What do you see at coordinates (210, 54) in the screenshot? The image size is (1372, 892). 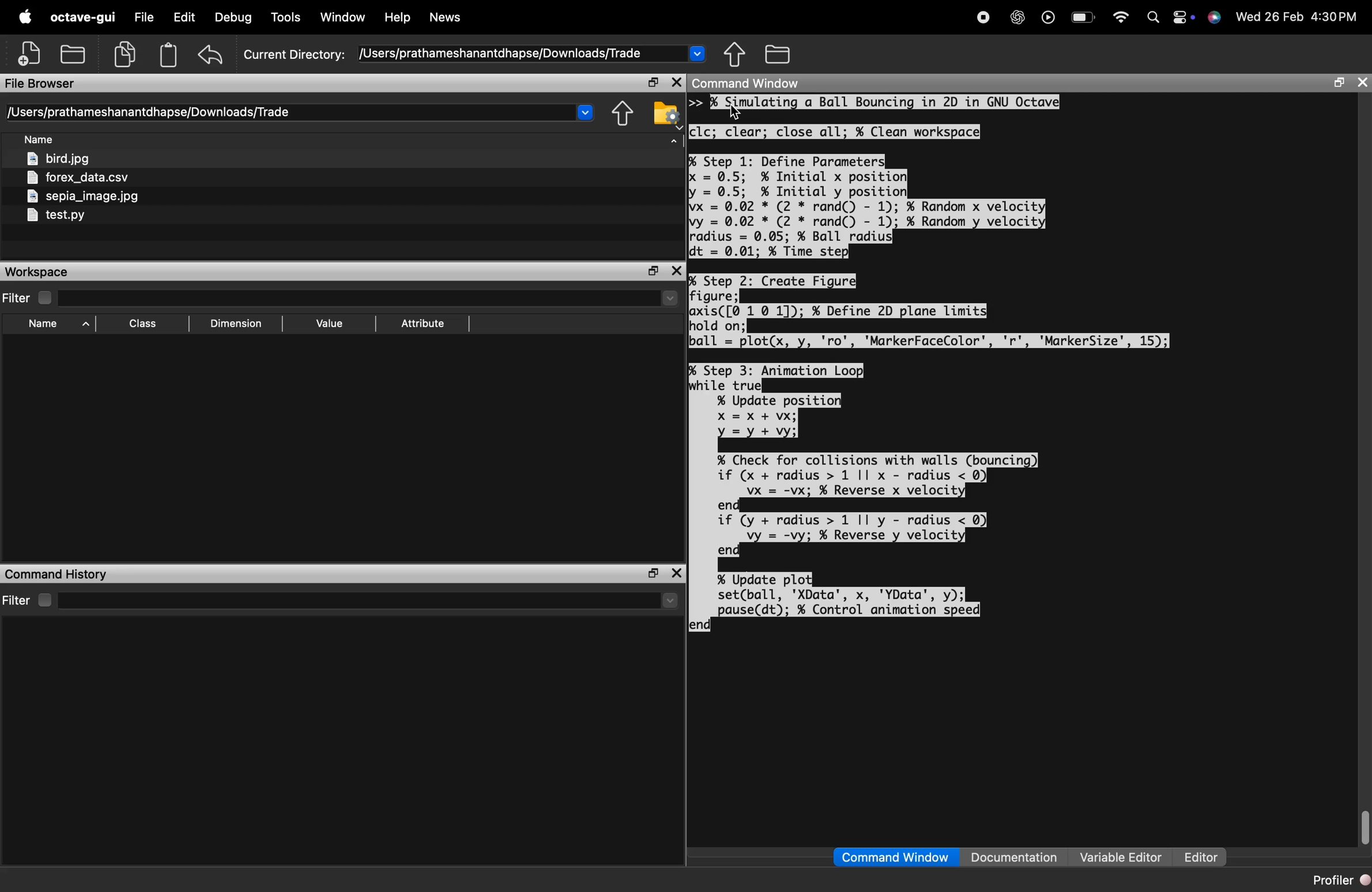 I see `undo` at bounding box center [210, 54].